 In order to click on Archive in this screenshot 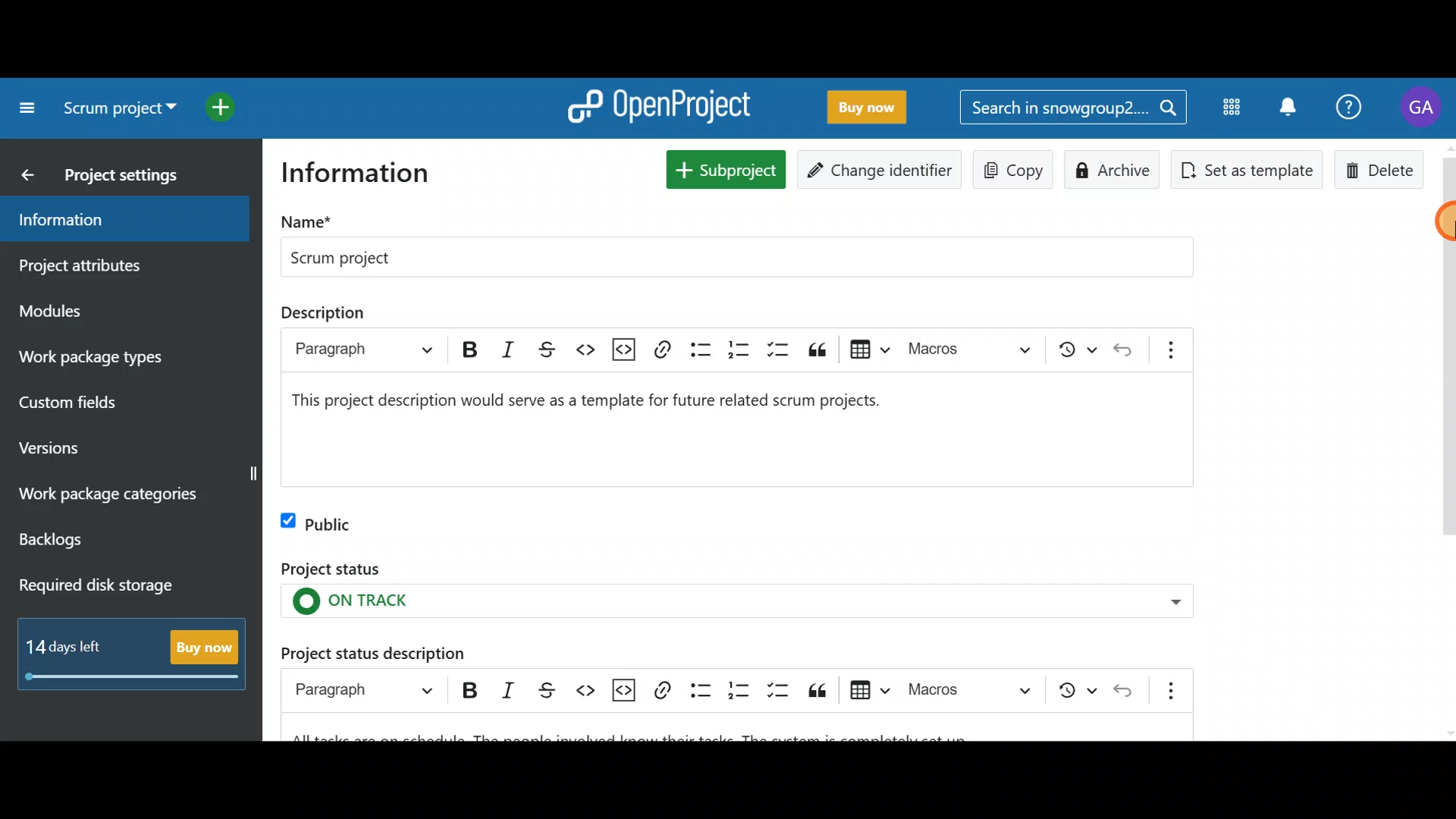, I will do `click(1119, 167)`.